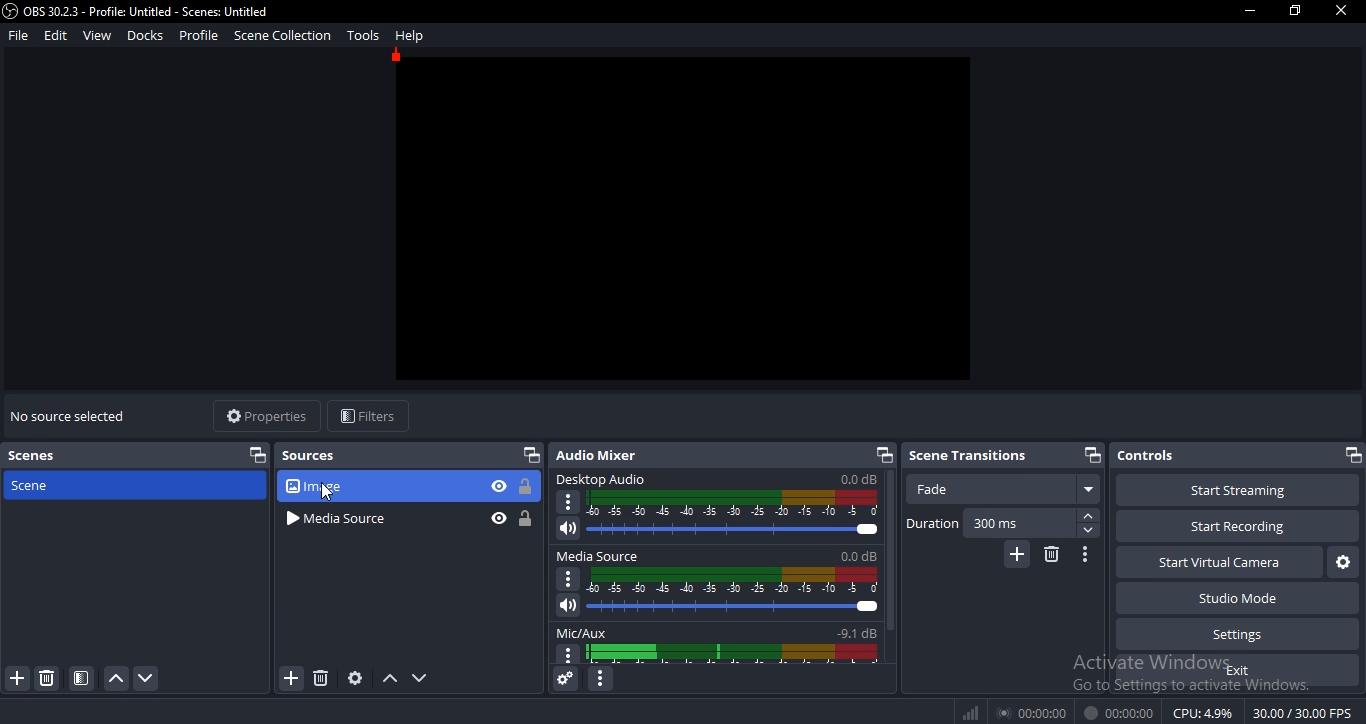 The width and height of the screenshot is (1366, 724). What do you see at coordinates (1094, 454) in the screenshot?
I see `restore` at bounding box center [1094, 454].